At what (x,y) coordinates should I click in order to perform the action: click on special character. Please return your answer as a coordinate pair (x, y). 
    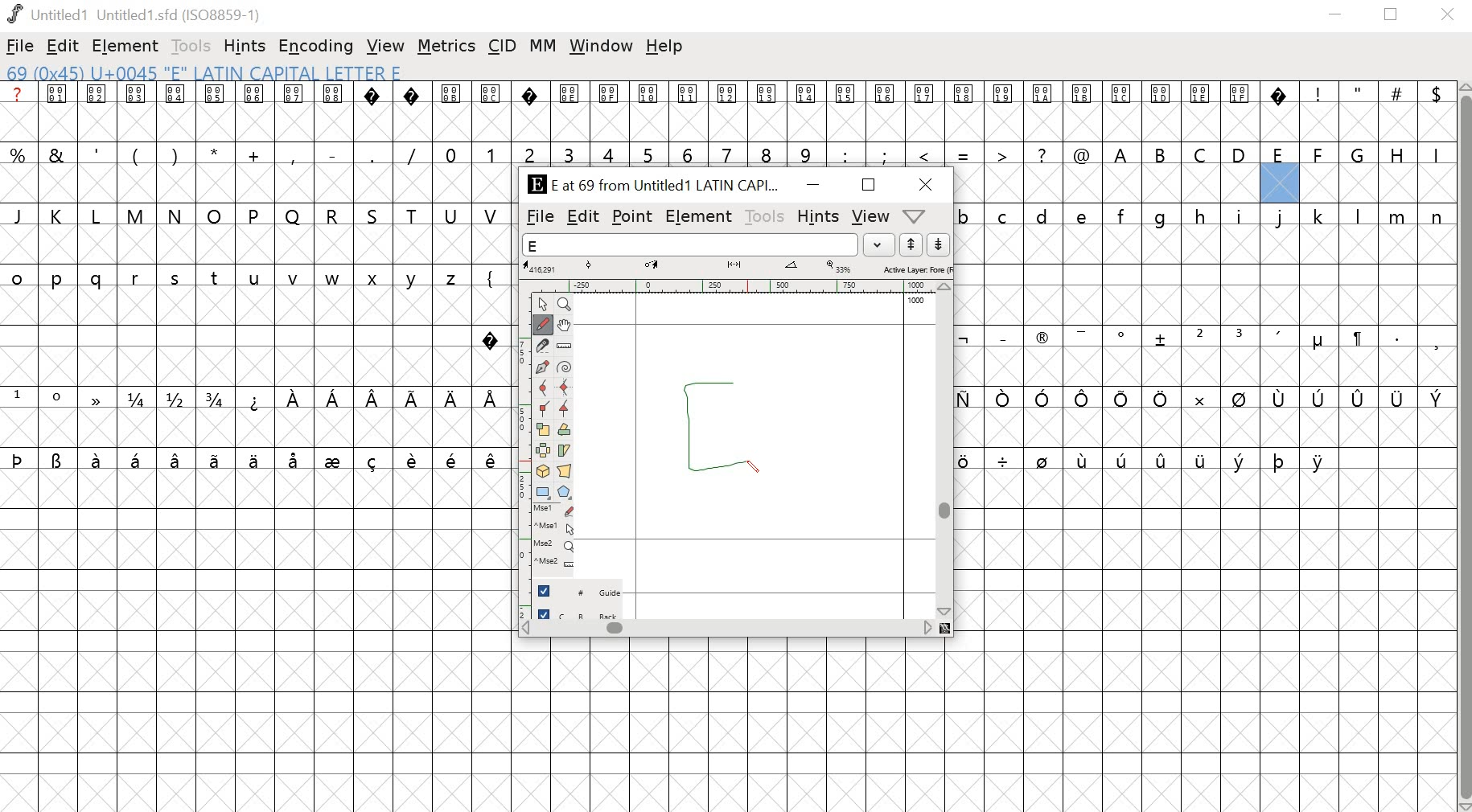
    Looking at the image, I should click on (495, 338).